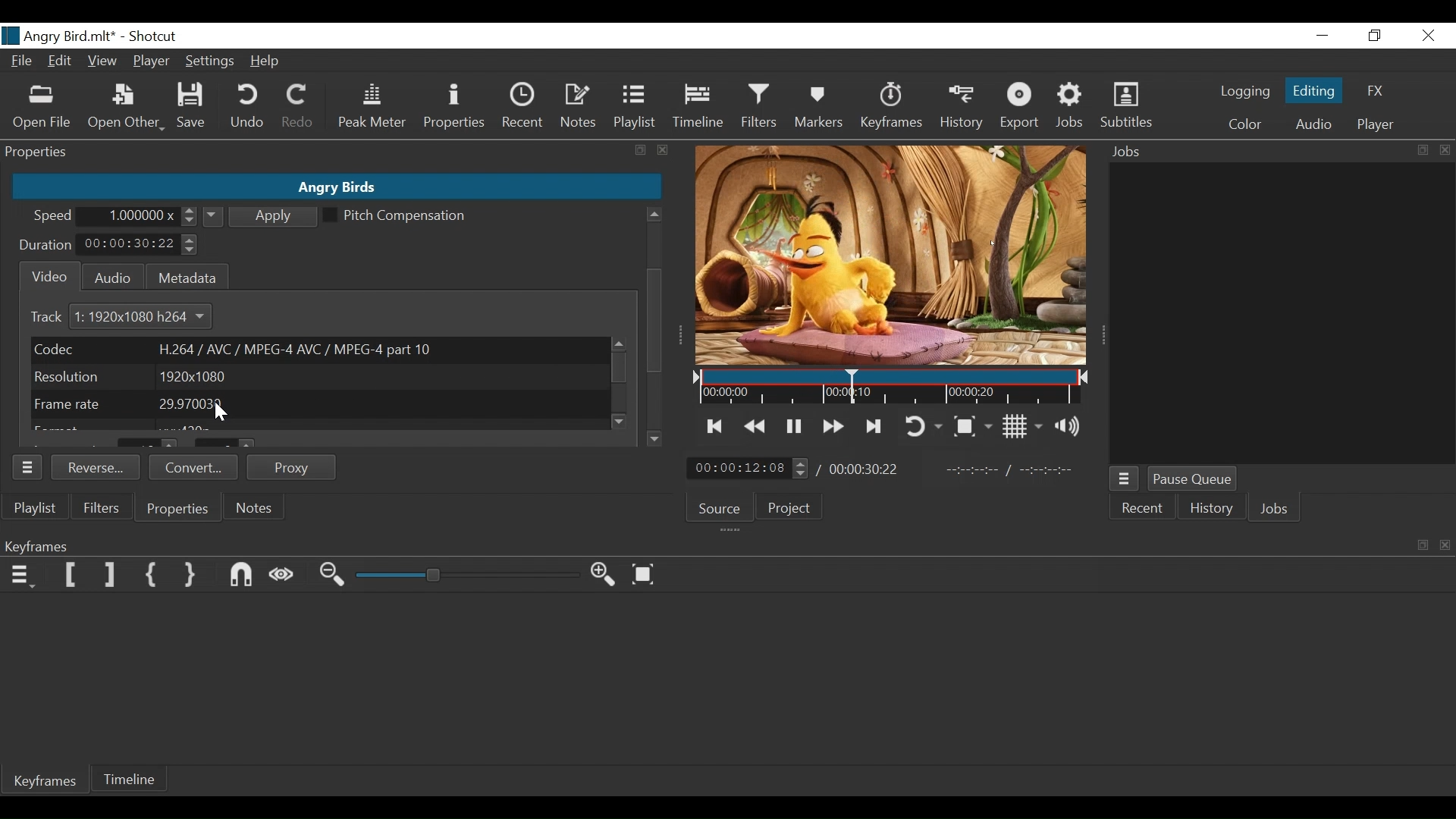  I want to click on Timeline, so click(697, 109).